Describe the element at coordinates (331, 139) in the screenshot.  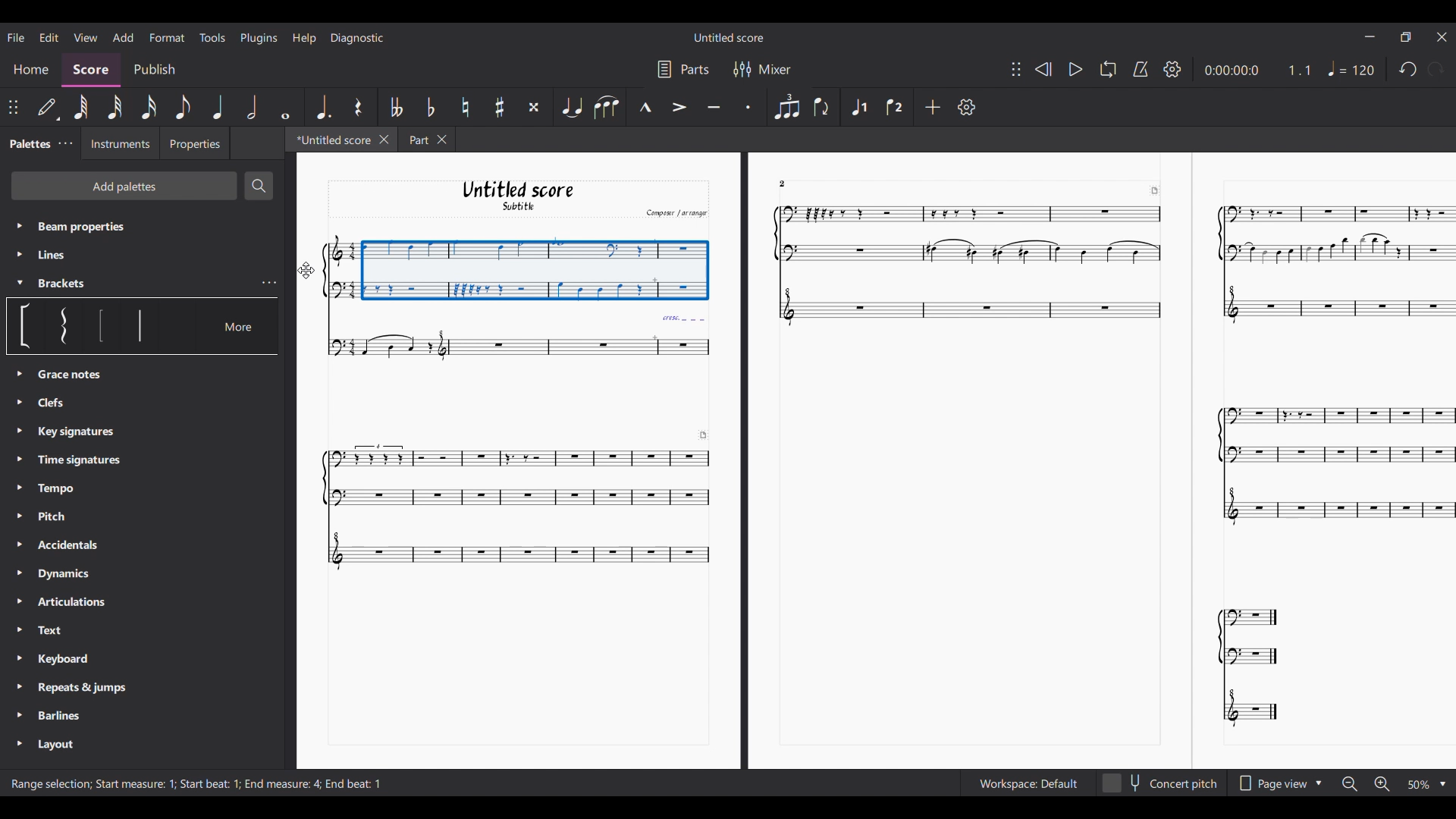
I see `Current tab` at that location.